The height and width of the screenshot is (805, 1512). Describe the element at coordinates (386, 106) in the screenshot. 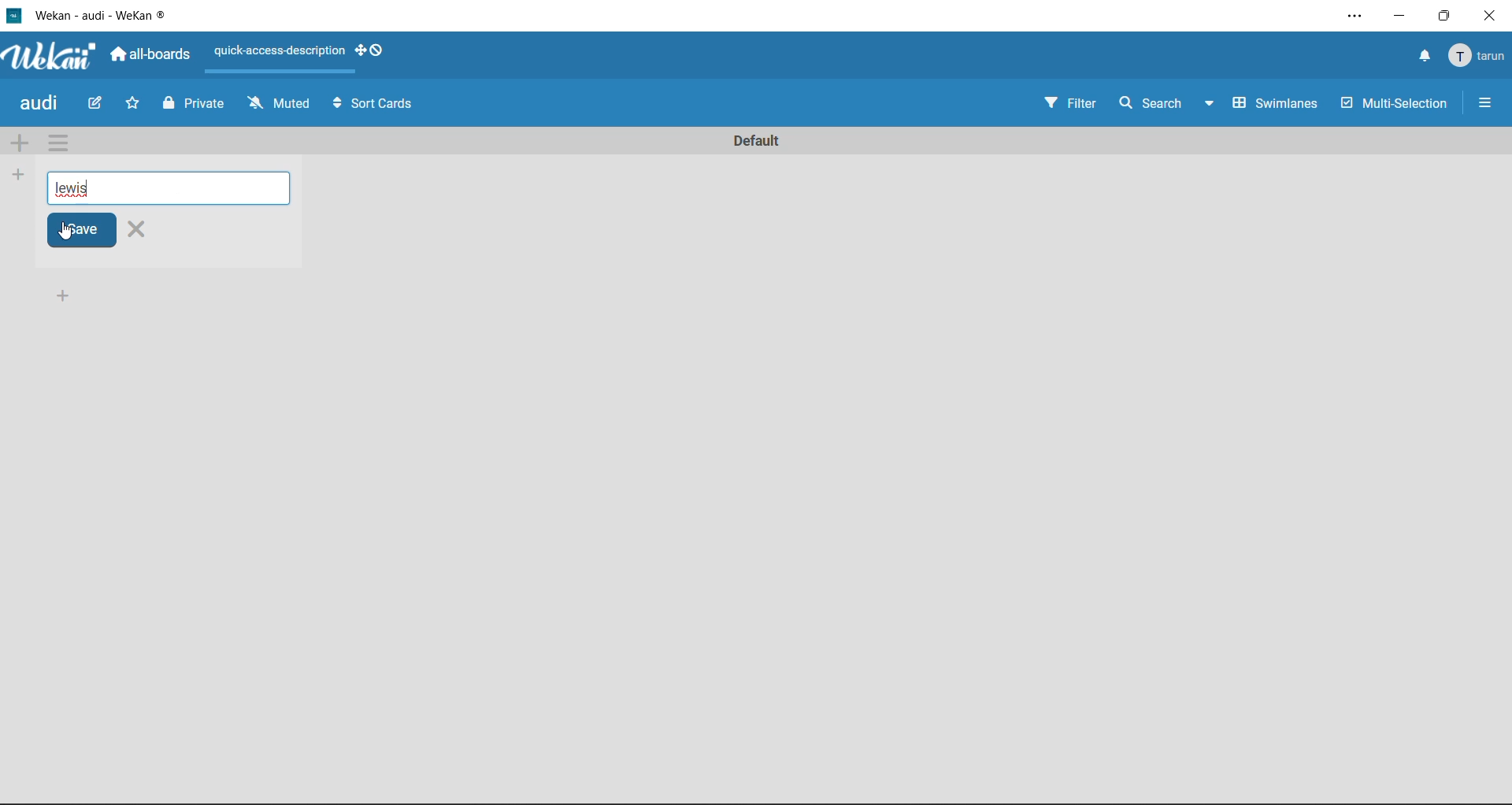

I see `sort cards` at that location.